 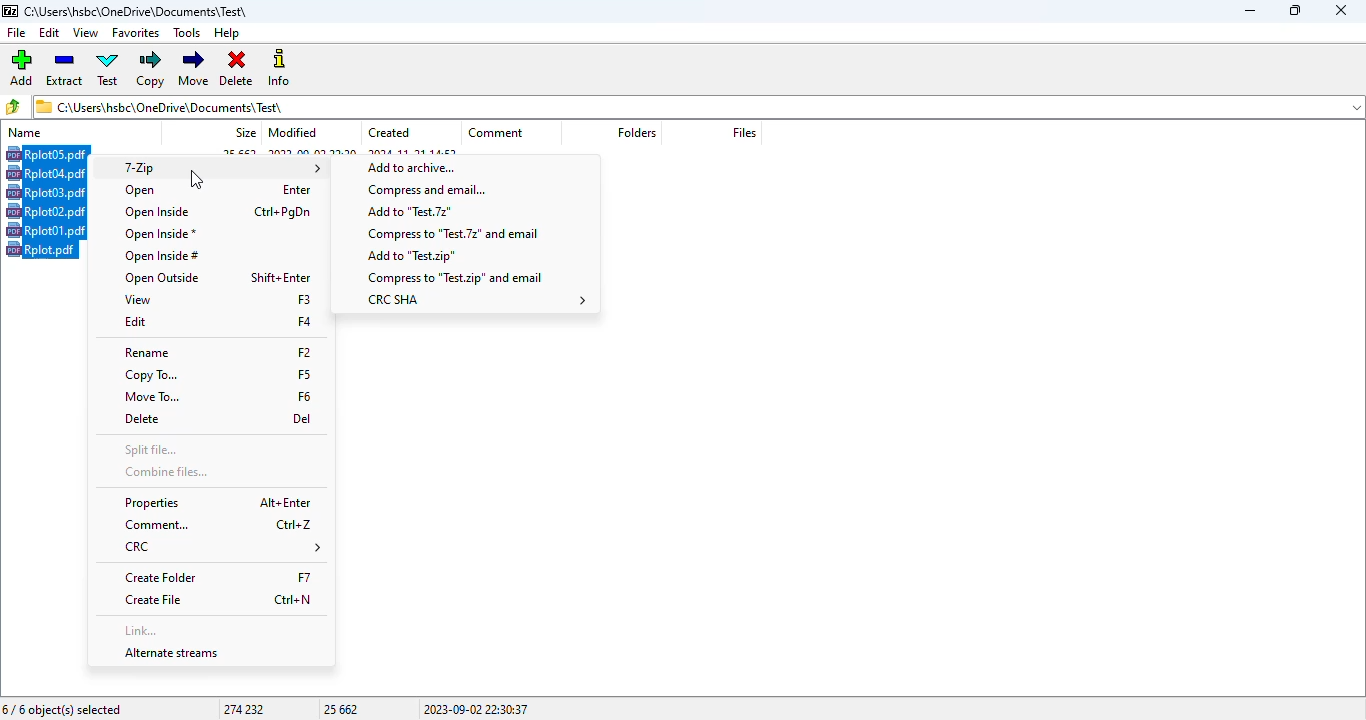 I want to click on 7-Zip , so click(x=220, y=168).